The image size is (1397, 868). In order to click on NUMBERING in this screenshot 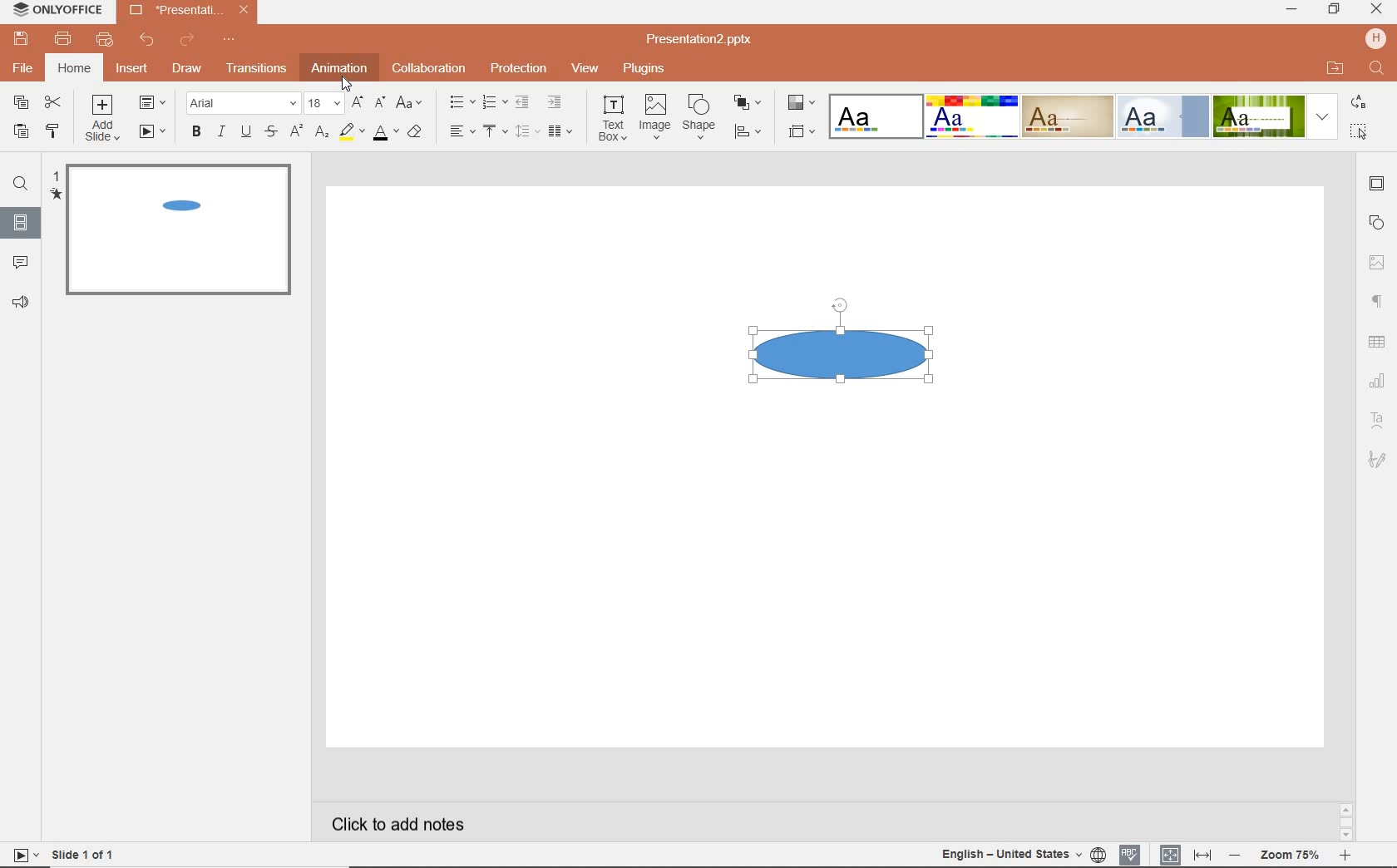, I will do `click(496, 102)`.